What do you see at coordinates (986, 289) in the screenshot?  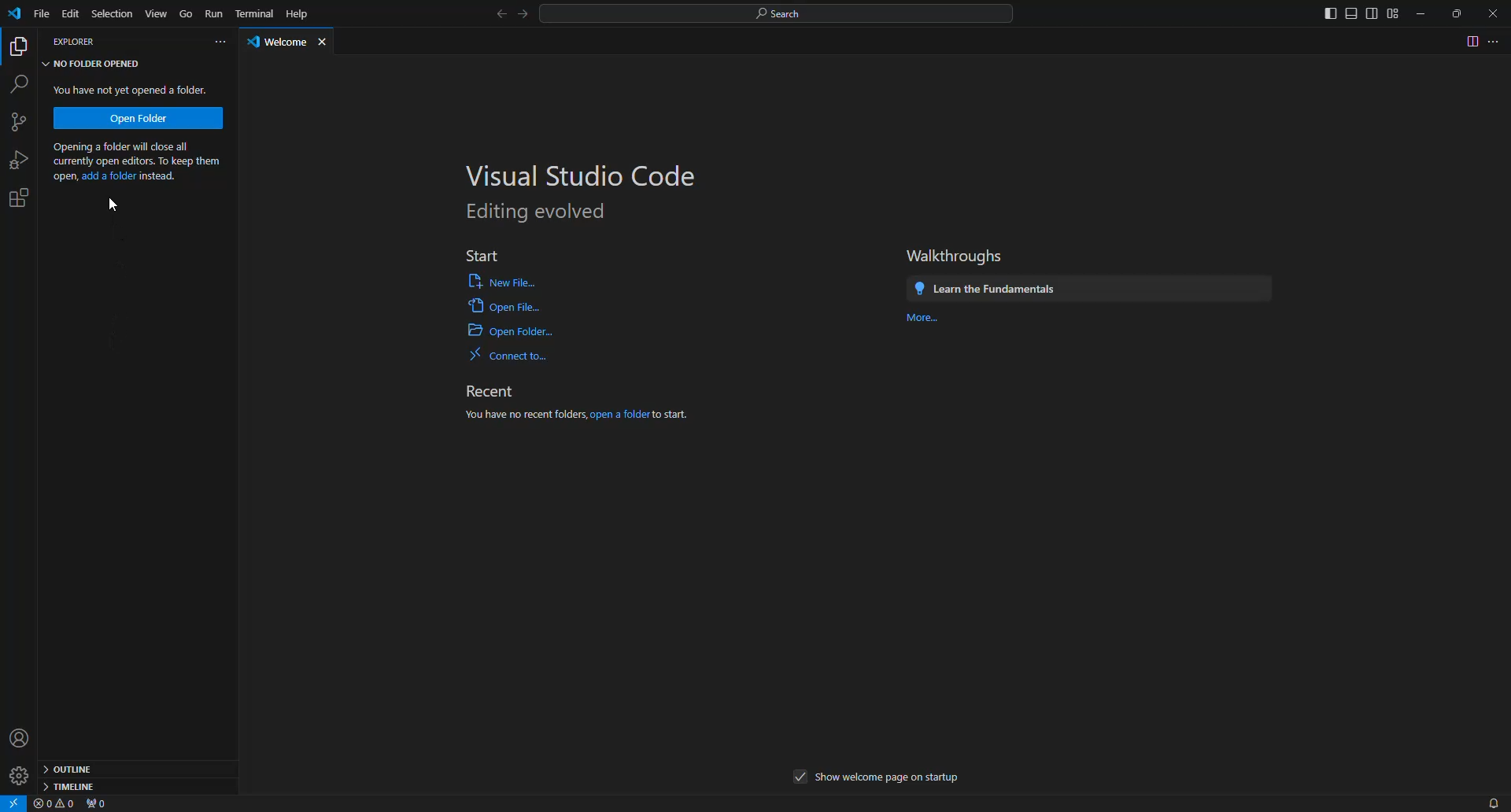 I see `learn the fundamentals` at bounding box center [986, 289].